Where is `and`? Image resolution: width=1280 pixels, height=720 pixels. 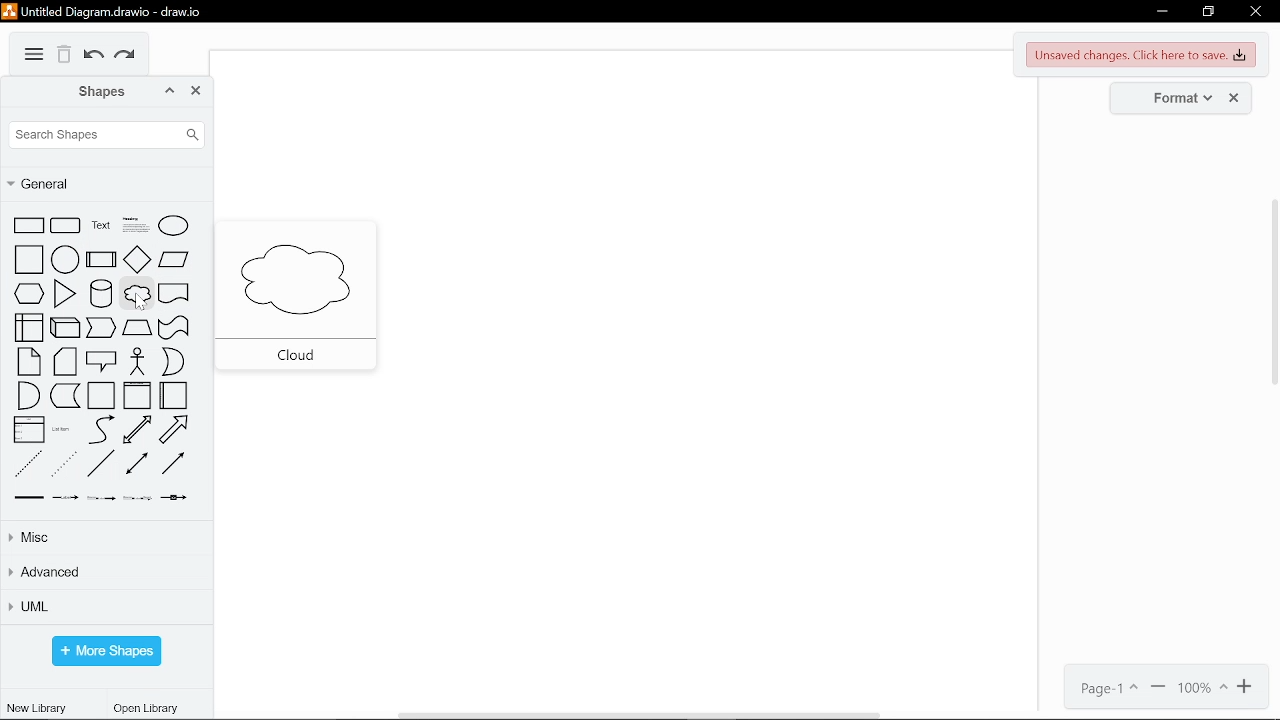
and is located at coordinates (28, 396).